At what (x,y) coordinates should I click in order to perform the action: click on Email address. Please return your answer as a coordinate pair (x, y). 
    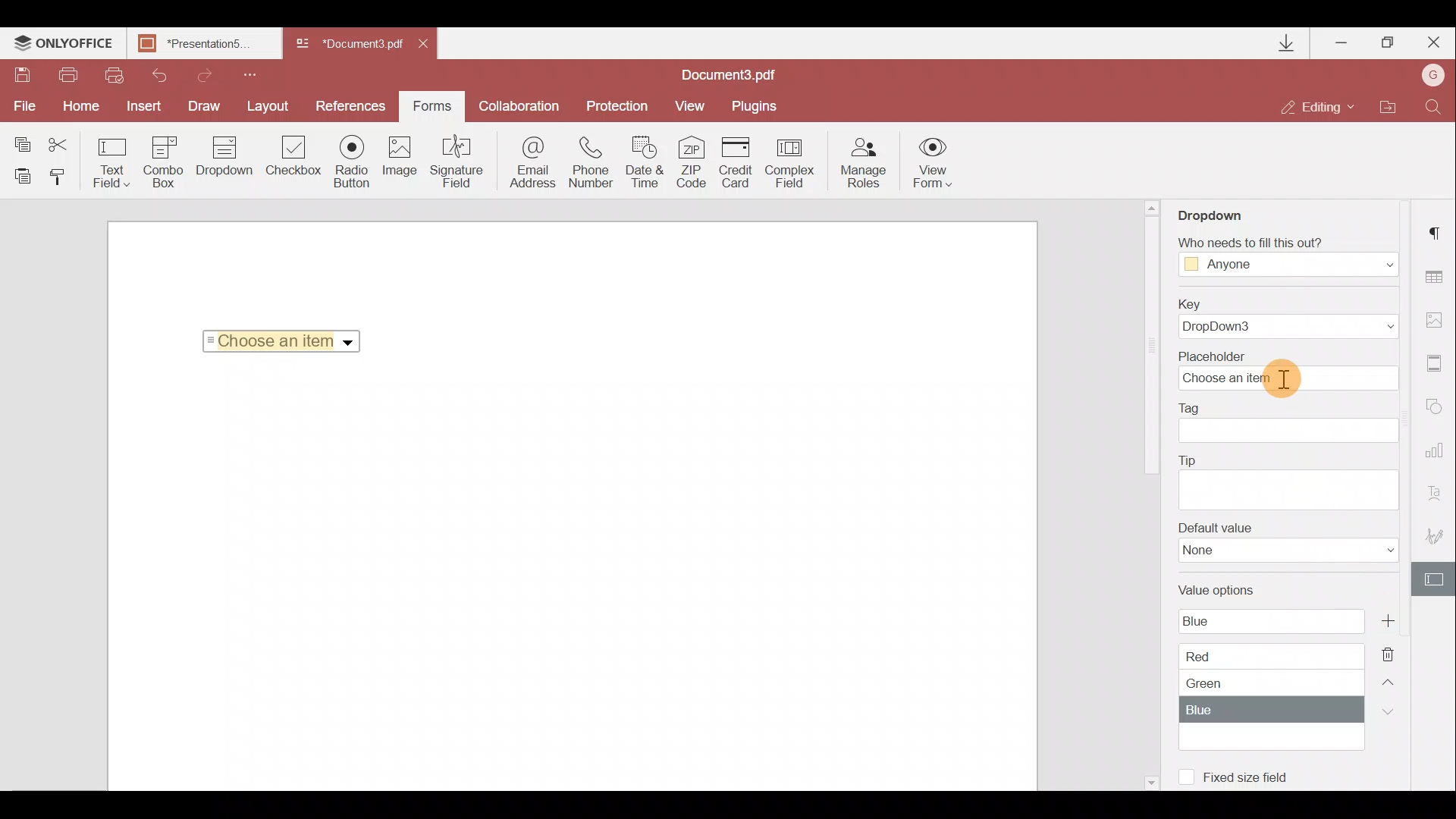
    Looking at the image, I should click on (527, 166).